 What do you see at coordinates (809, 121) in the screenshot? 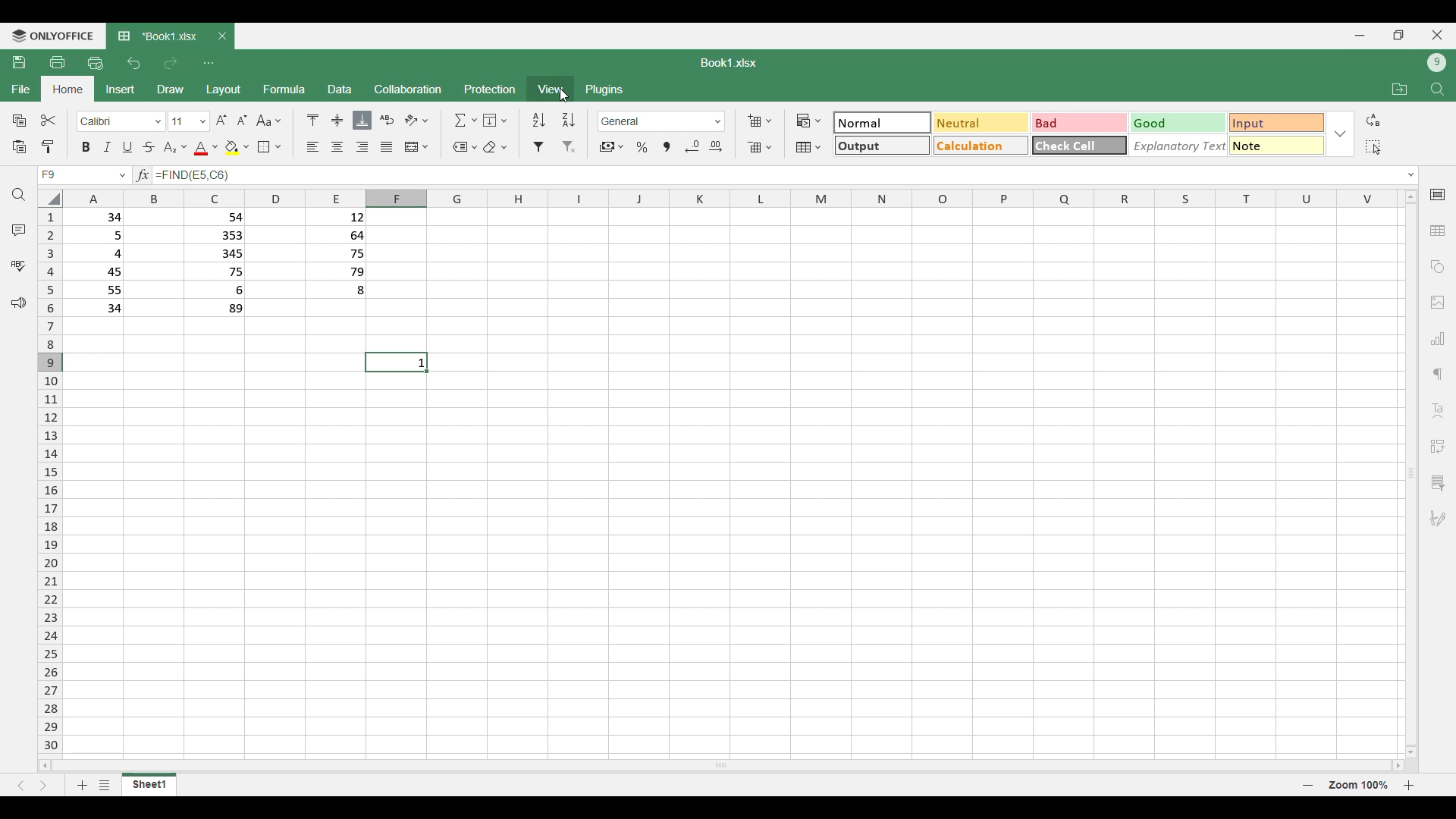
I see `Conditional formatting` at bounding box center [809, 121].